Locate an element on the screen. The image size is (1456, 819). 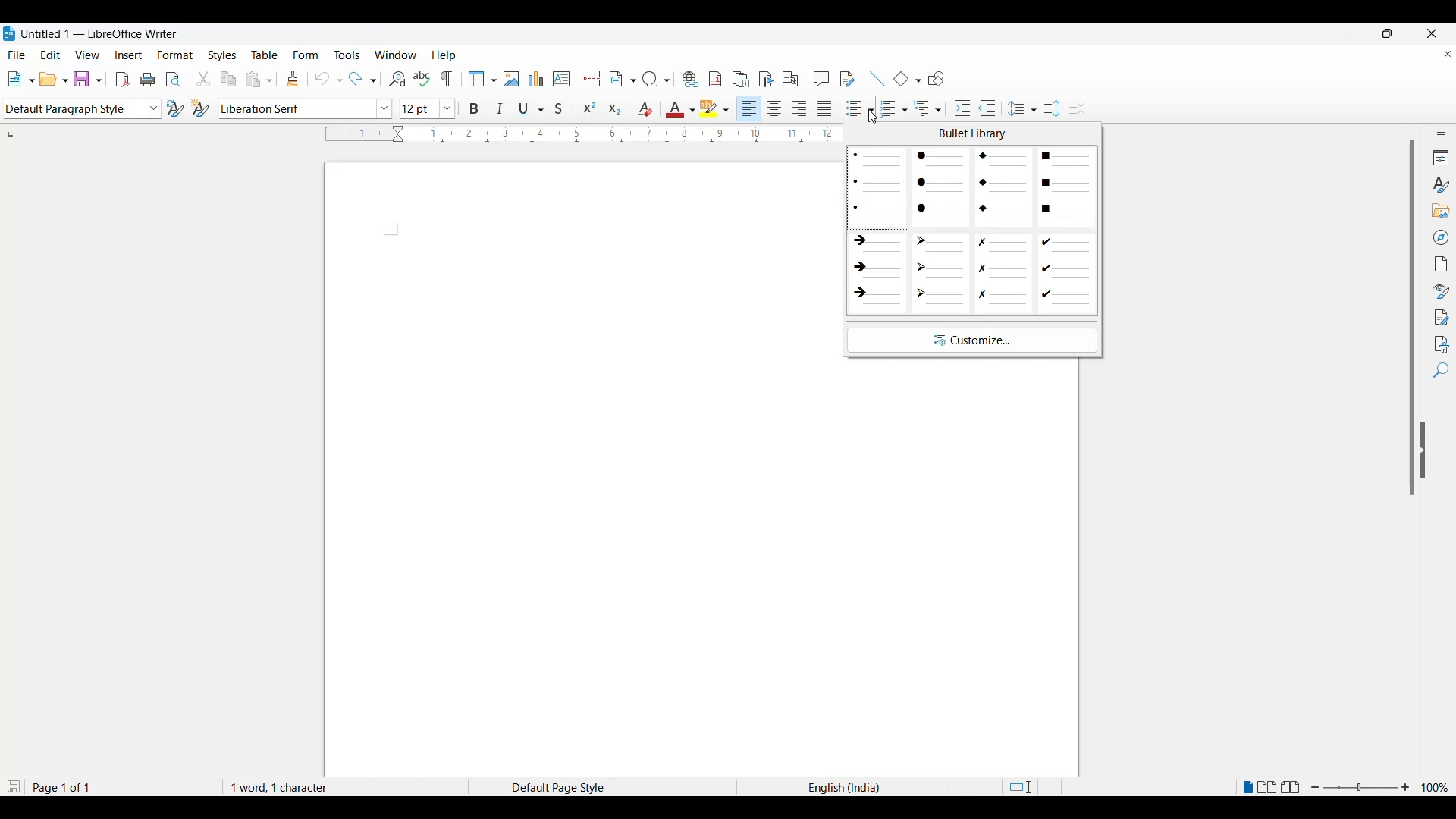
Table is located at coordinates (266, 53).